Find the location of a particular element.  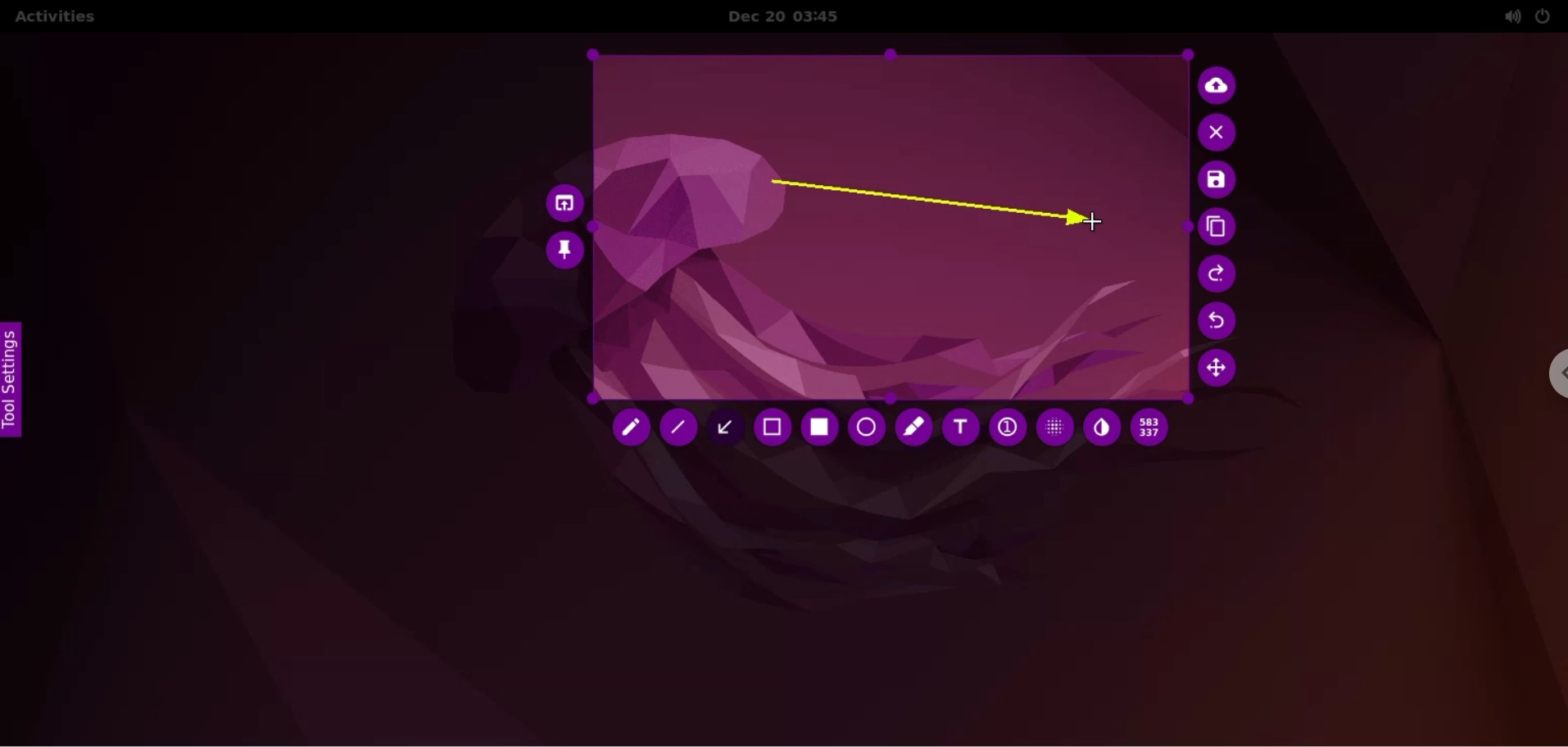

save is located at coordinates (1217, 181).